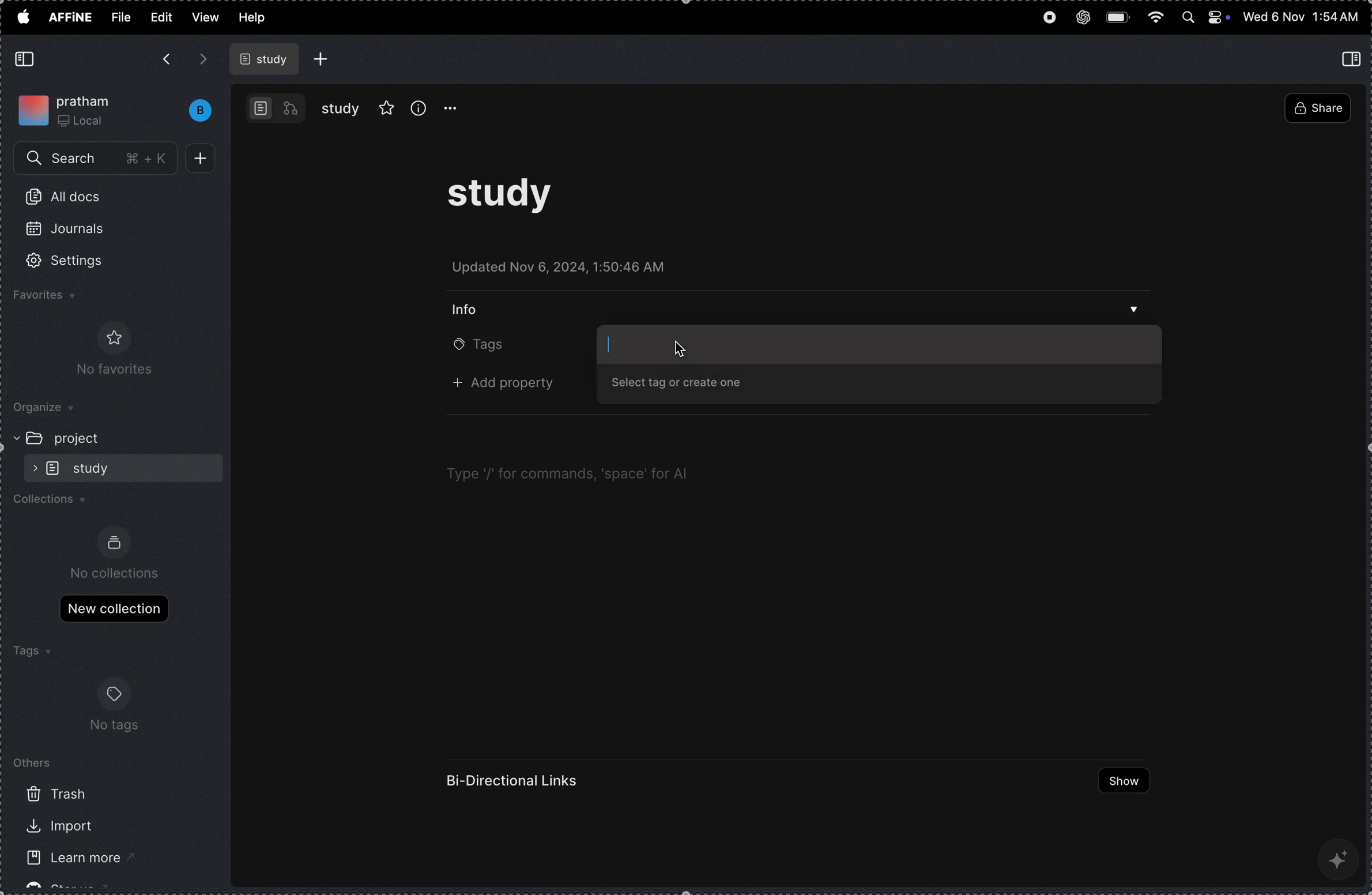 The image size is (1372, 895). What do you see at coordinates (877, 344) in the screenshot?
I see `add tag` at bounding box center [877, 344].